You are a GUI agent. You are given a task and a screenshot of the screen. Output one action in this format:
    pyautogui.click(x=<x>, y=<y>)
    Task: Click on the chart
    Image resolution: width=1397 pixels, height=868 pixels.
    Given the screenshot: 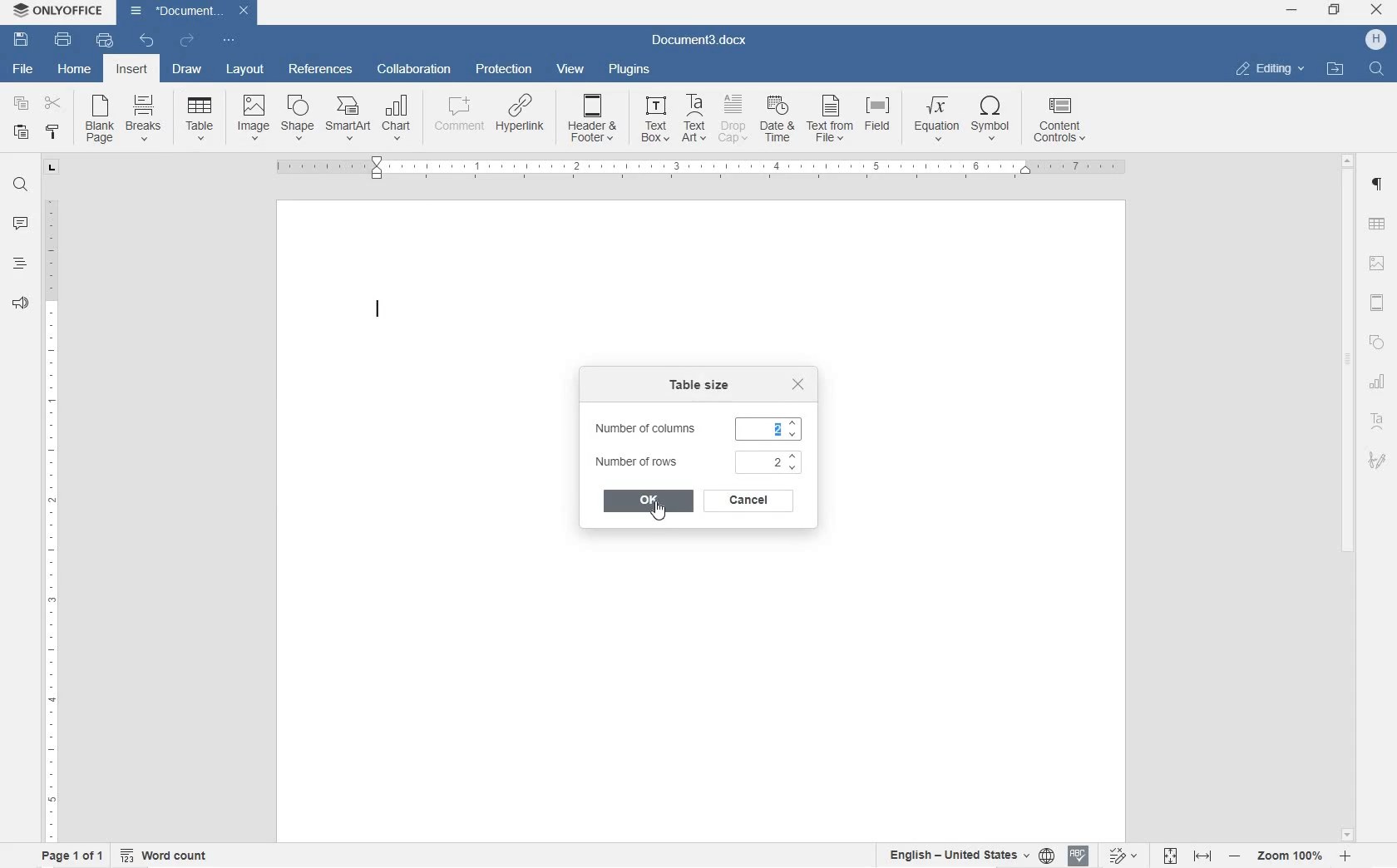 What is the action you would take?
    pyautogui.click(x=397, y=118)
    